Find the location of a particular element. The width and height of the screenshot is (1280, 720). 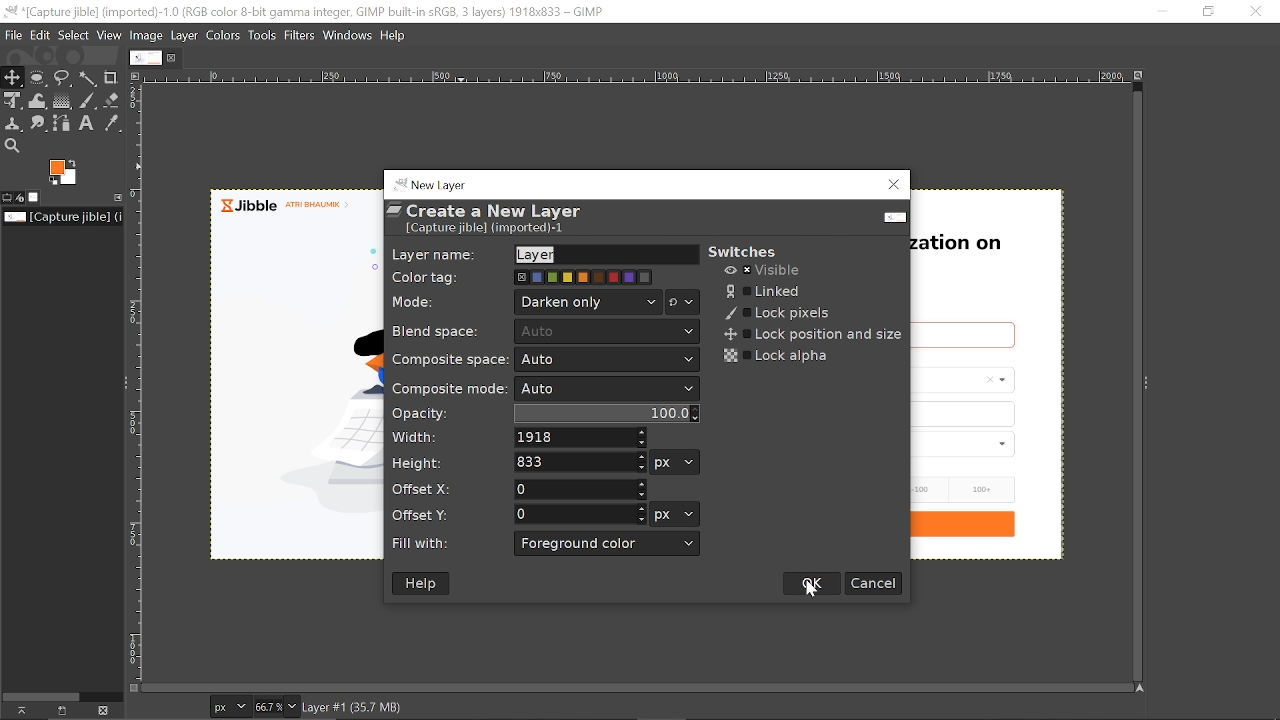

Horizontal label is located at coordinates (635, 78).